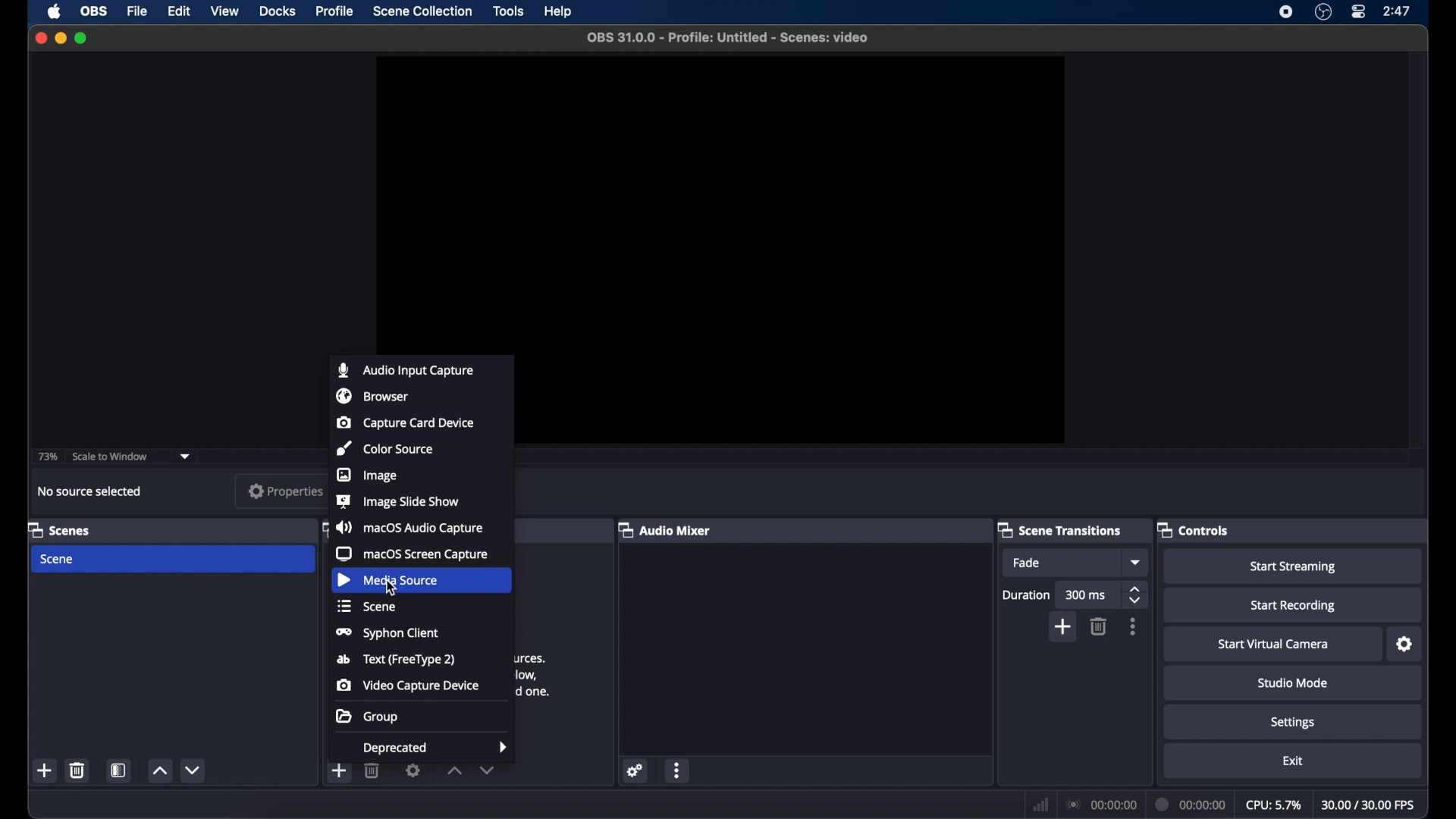  I want to click on help, so click(559, 12).